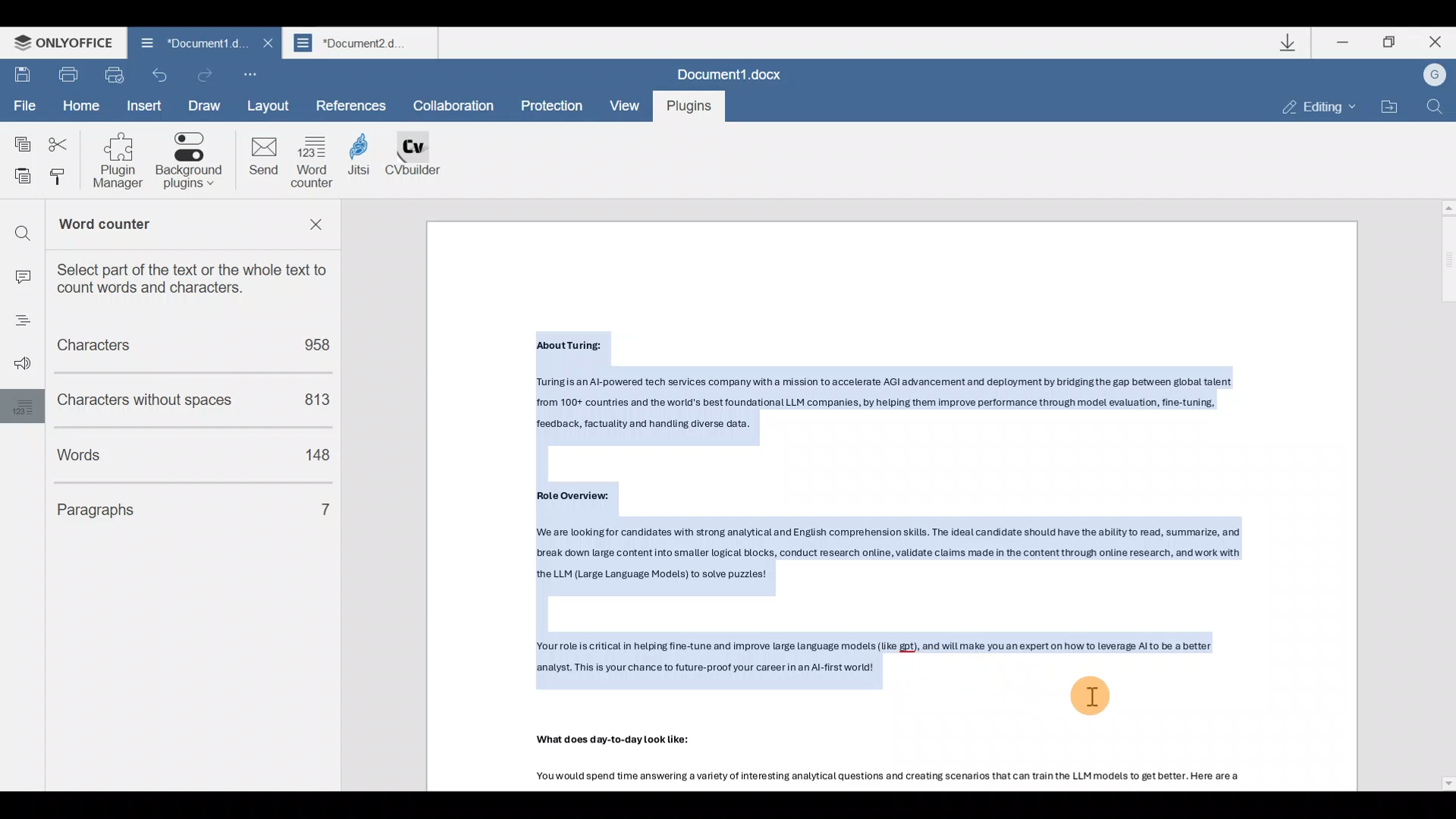 This screenshot has height=819, width=1456. Describe the element at coordinates (151, 350) in the screenshot. I see `Characters count` at that location.